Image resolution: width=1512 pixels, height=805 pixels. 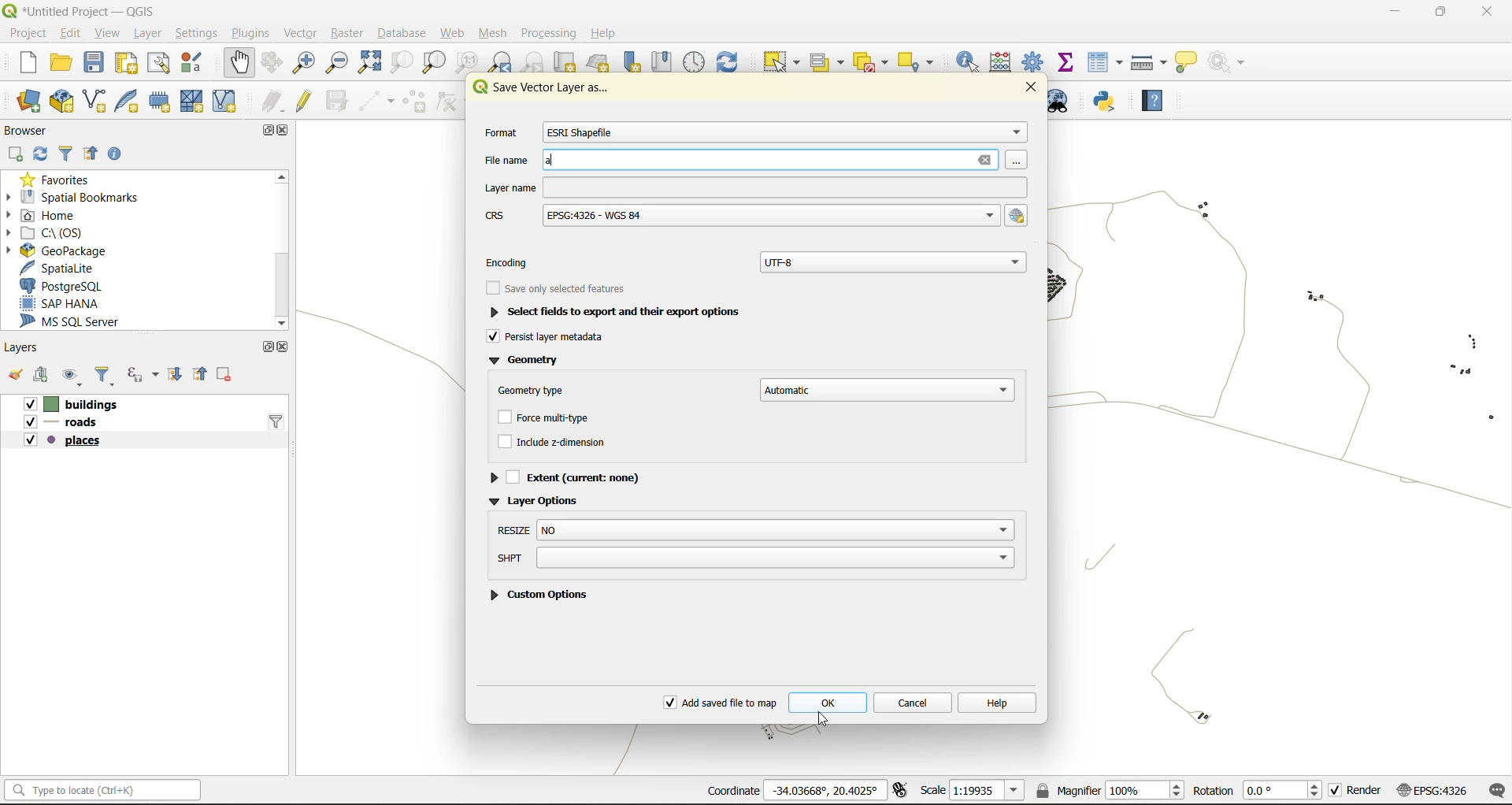 What do you see at coordinates (65, 61) in the screenshot?
I see `open` at bounding box center [65, 61].